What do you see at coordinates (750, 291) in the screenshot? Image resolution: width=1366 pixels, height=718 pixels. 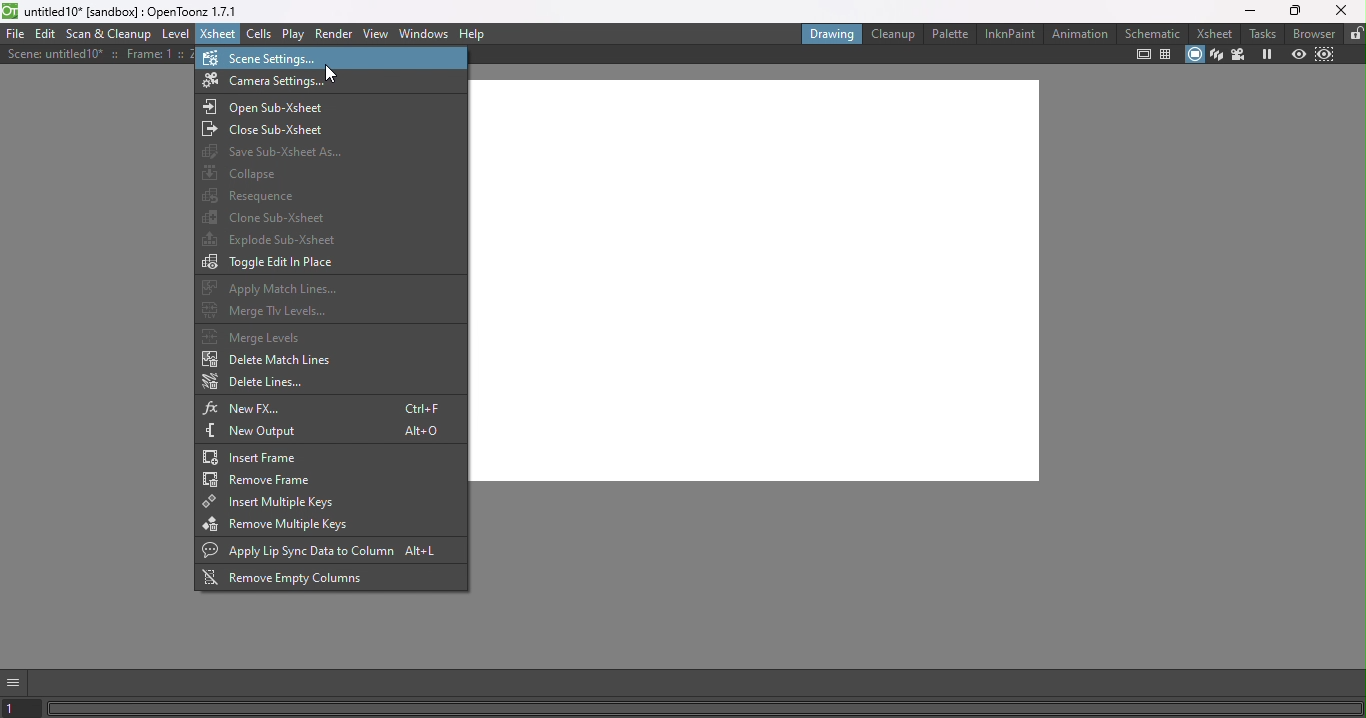 I see `Canvas` at bounding box center [750, 291].